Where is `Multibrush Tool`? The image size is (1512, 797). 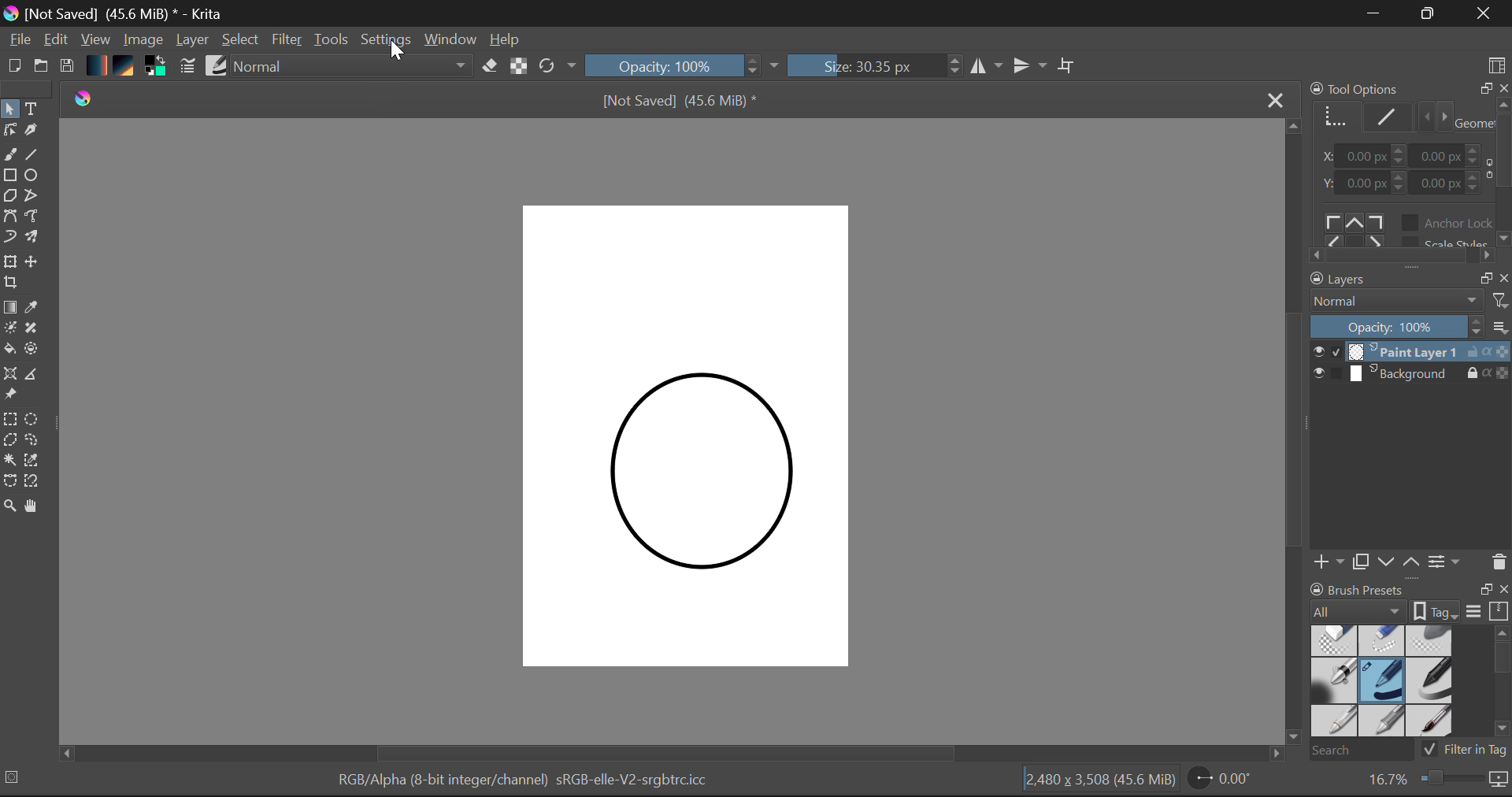 Multibrush Tool is located at coordinates (38, 240).